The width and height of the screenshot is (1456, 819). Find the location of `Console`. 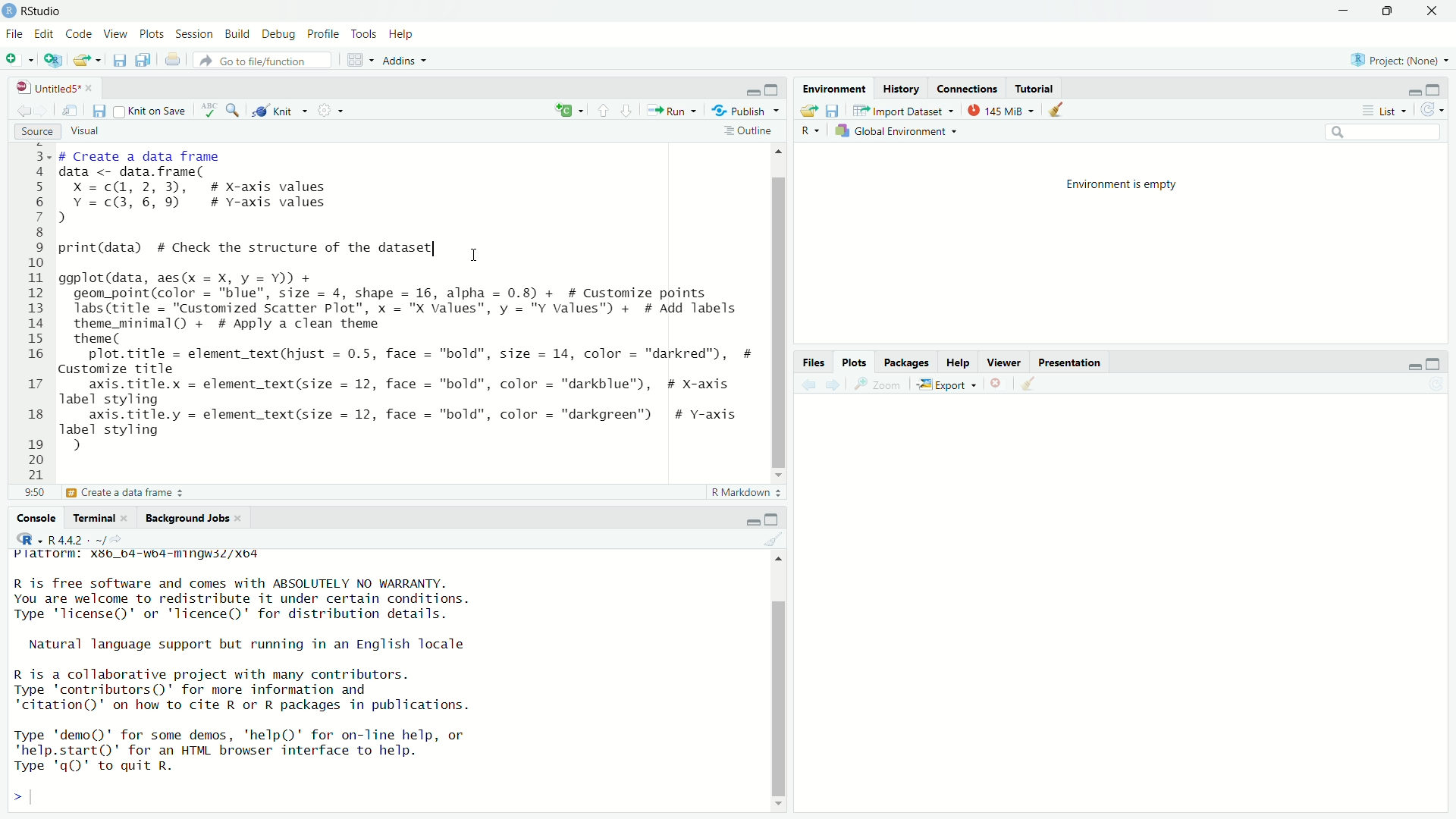

Console is located at coordinates (38, 518).